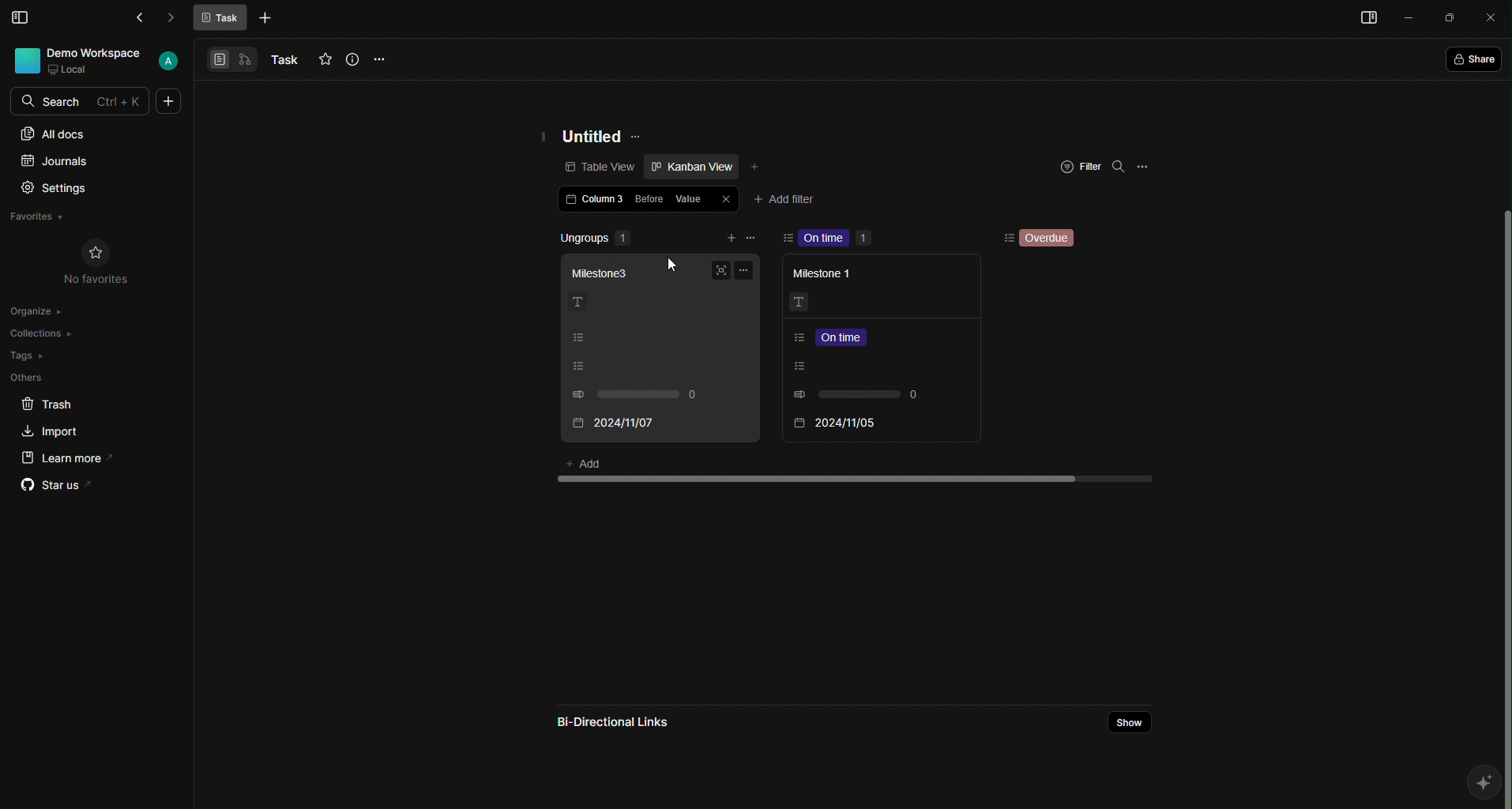 This screenshot has width=1512, height=809. I want to click on More, so click(265, 20).